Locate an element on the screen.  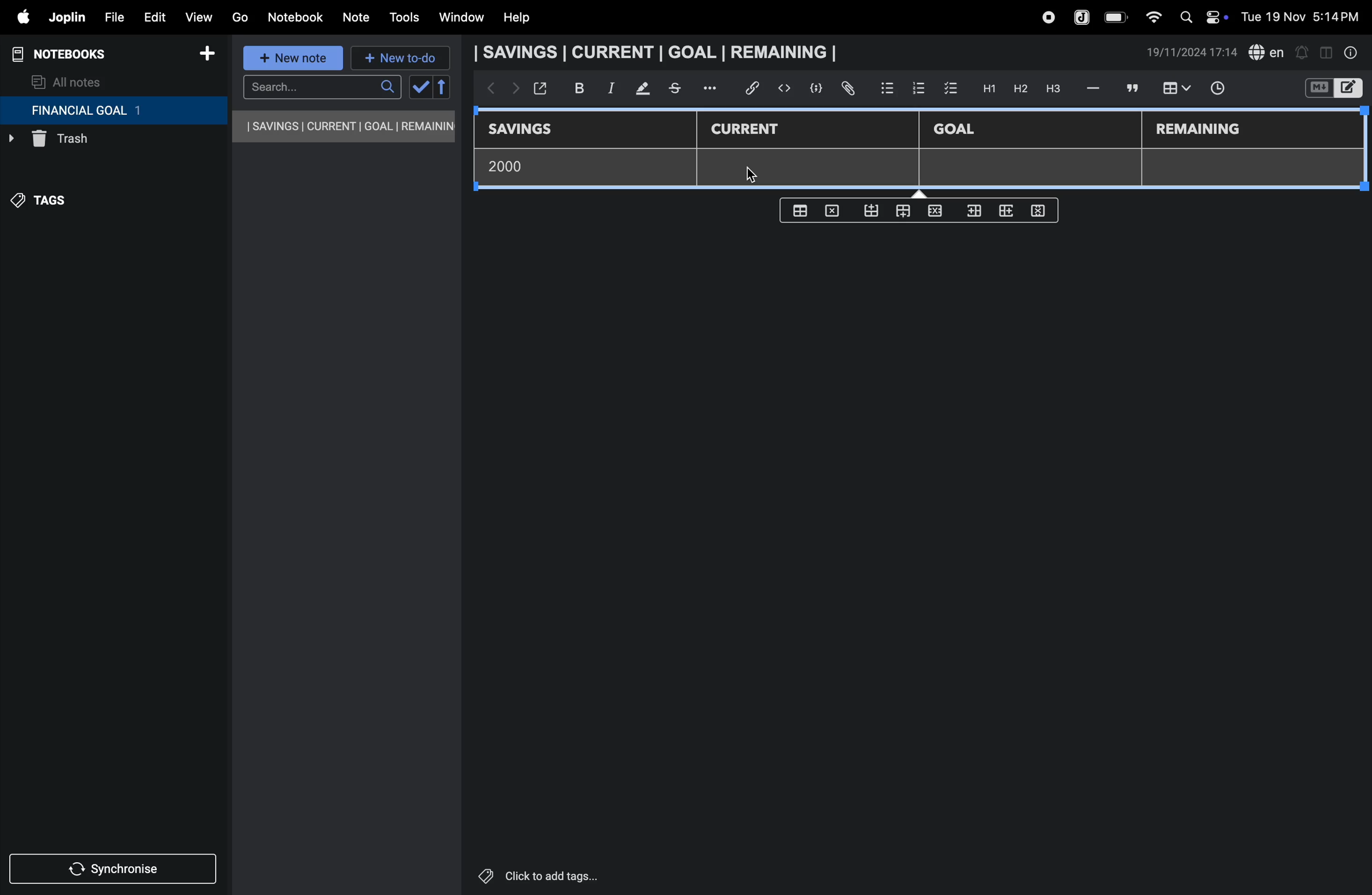
current is located at coordinates (753, 130).